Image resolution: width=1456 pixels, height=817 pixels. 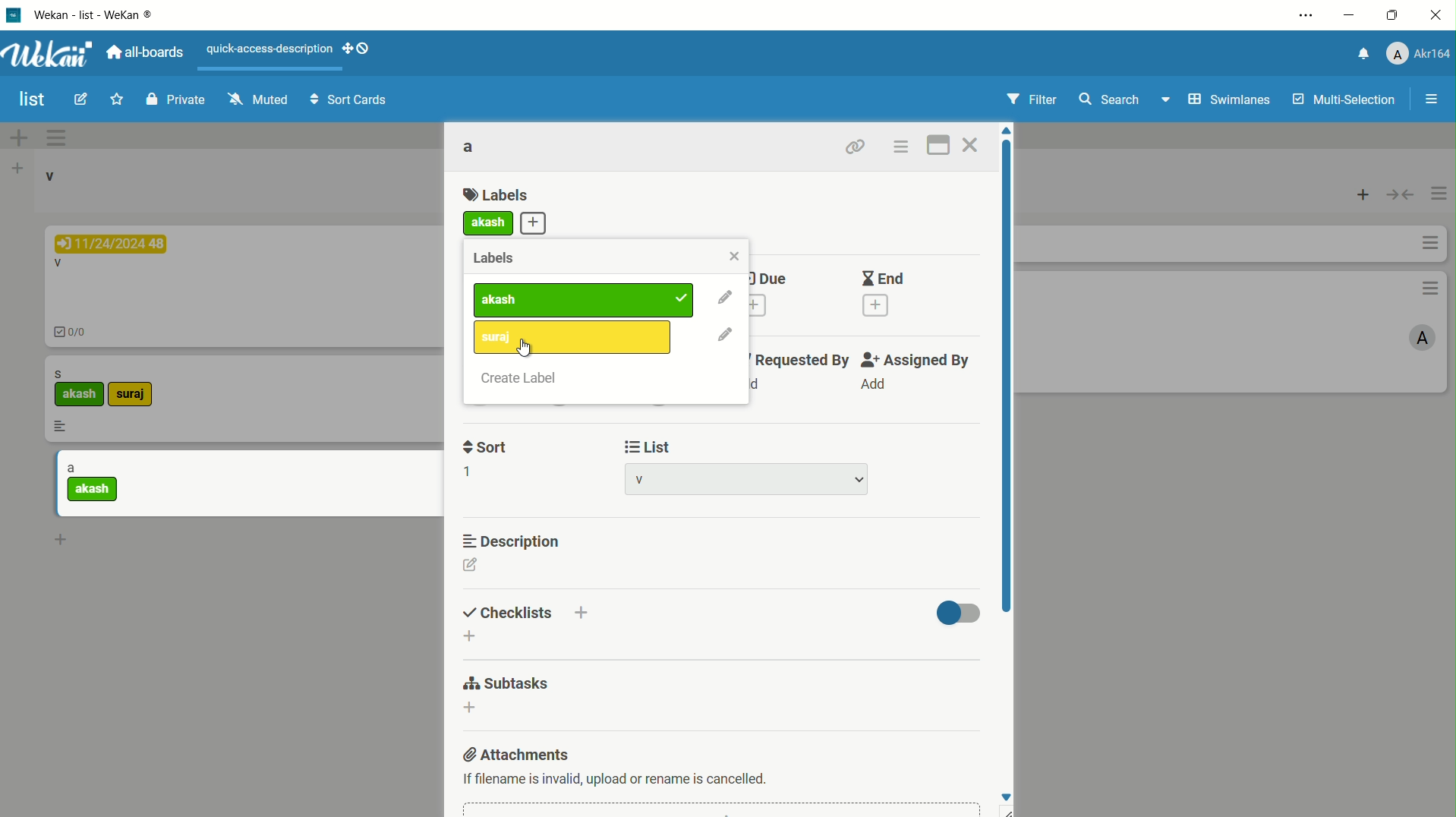 What do you see at coordinates (733, 256) in the screenshot?
I see `close` at bounding box center [733, 256].